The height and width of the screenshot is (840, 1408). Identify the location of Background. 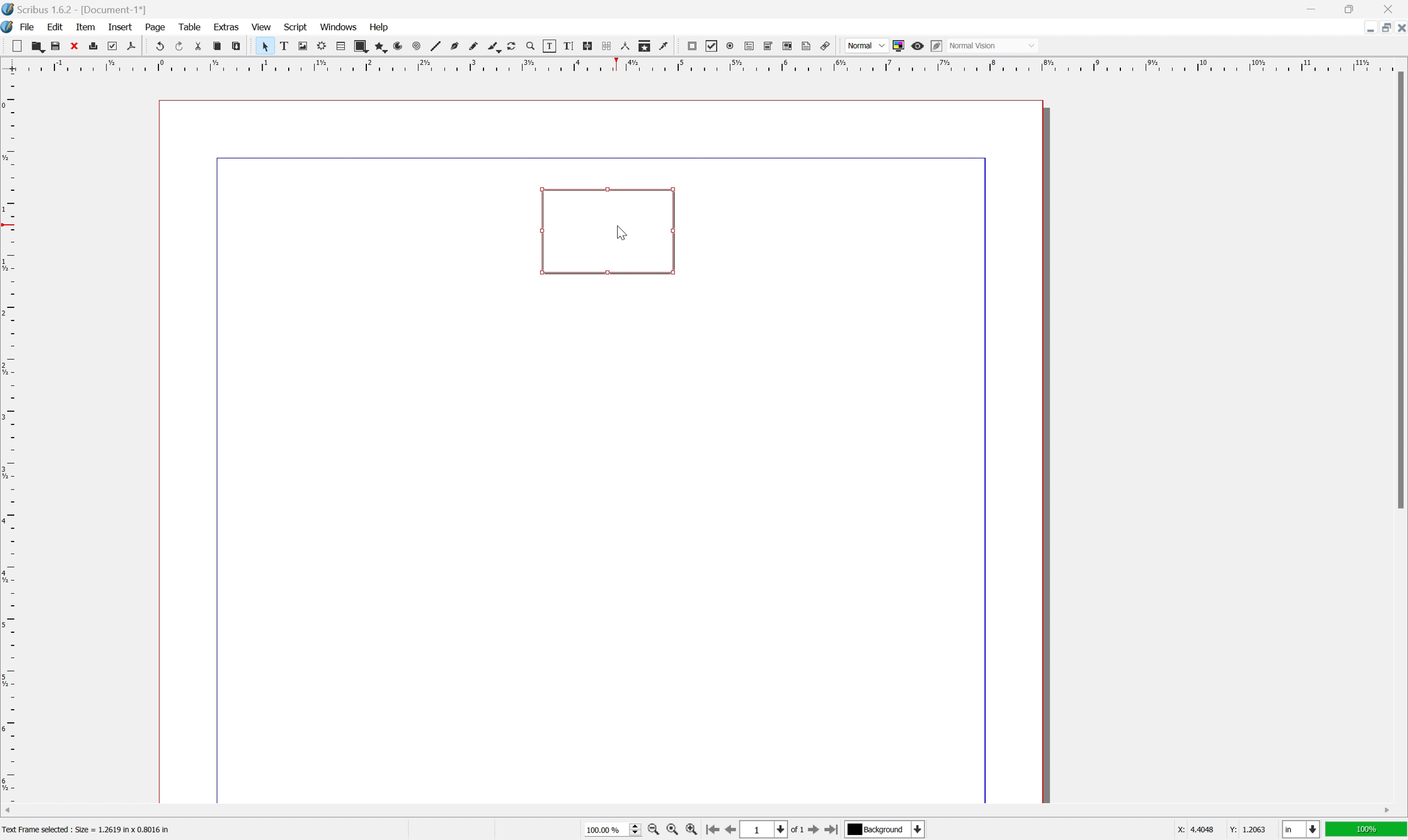
(884, 830).